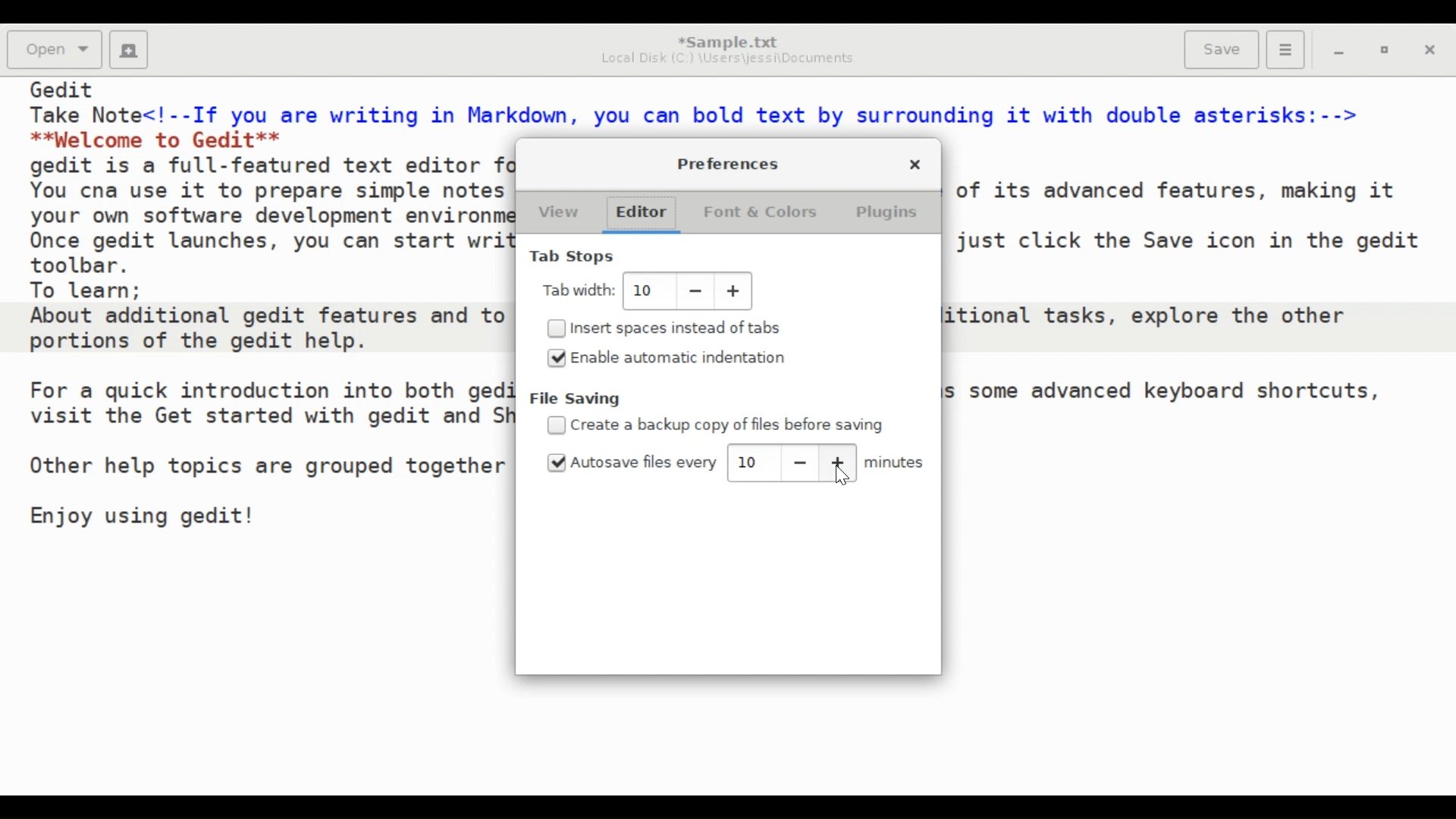 The height and width of the screenshot is (819, 1456). Describe the element at coordinates (799, 463) in the screenshot. I see `decrease` at that location.